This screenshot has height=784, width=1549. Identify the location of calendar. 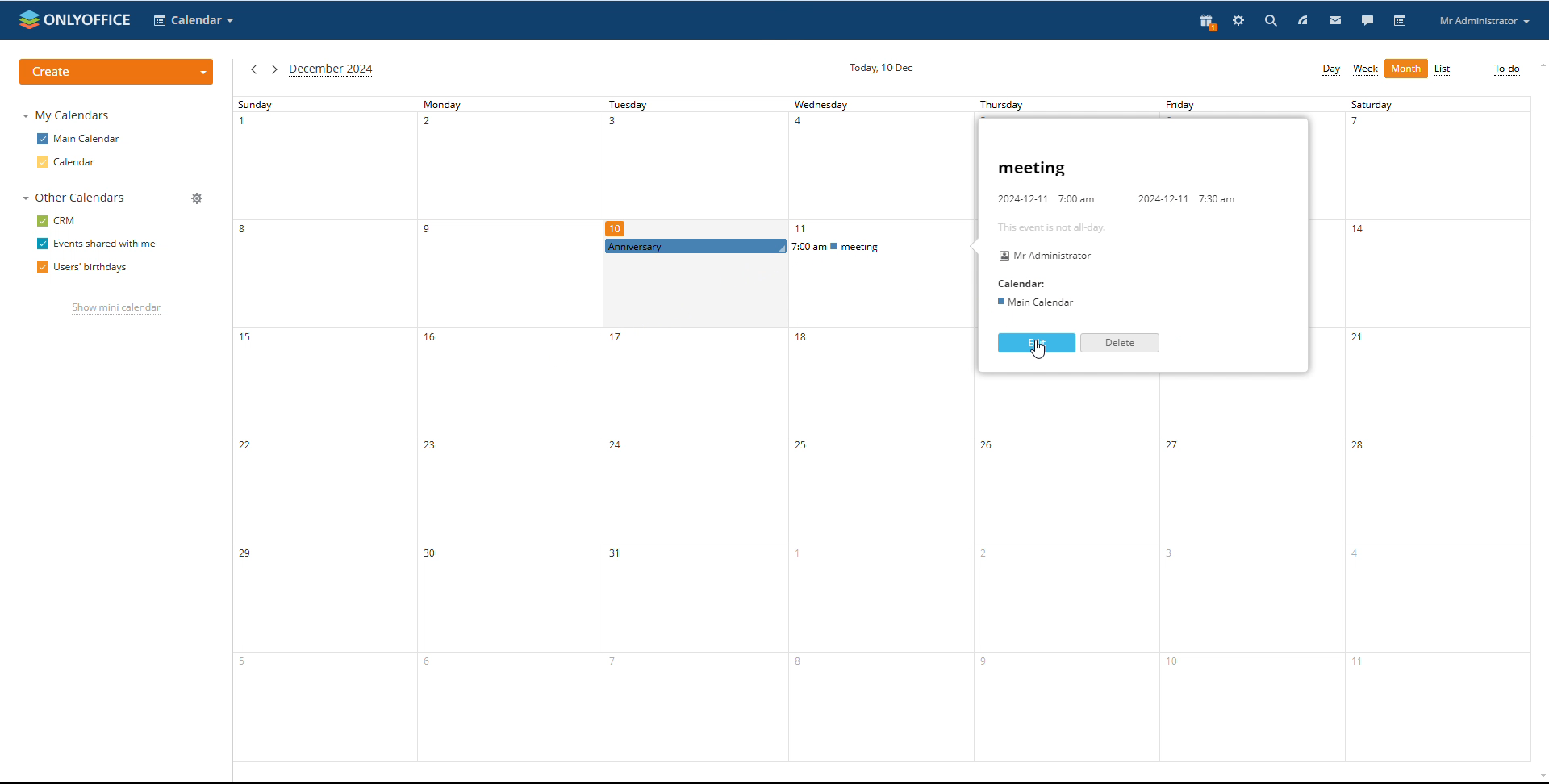
(67, 162).